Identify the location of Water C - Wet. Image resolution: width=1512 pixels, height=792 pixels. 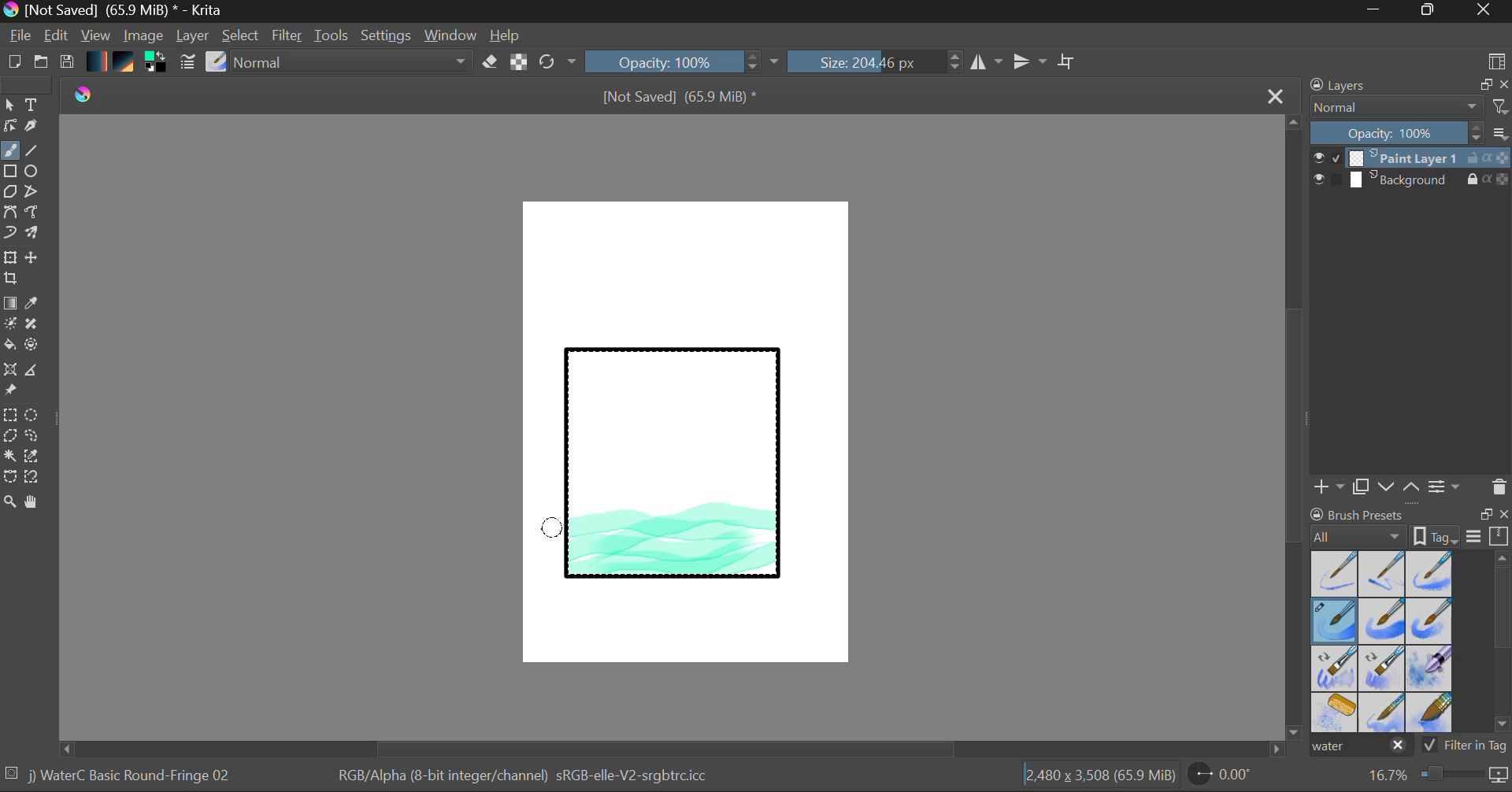
(1384, 574).